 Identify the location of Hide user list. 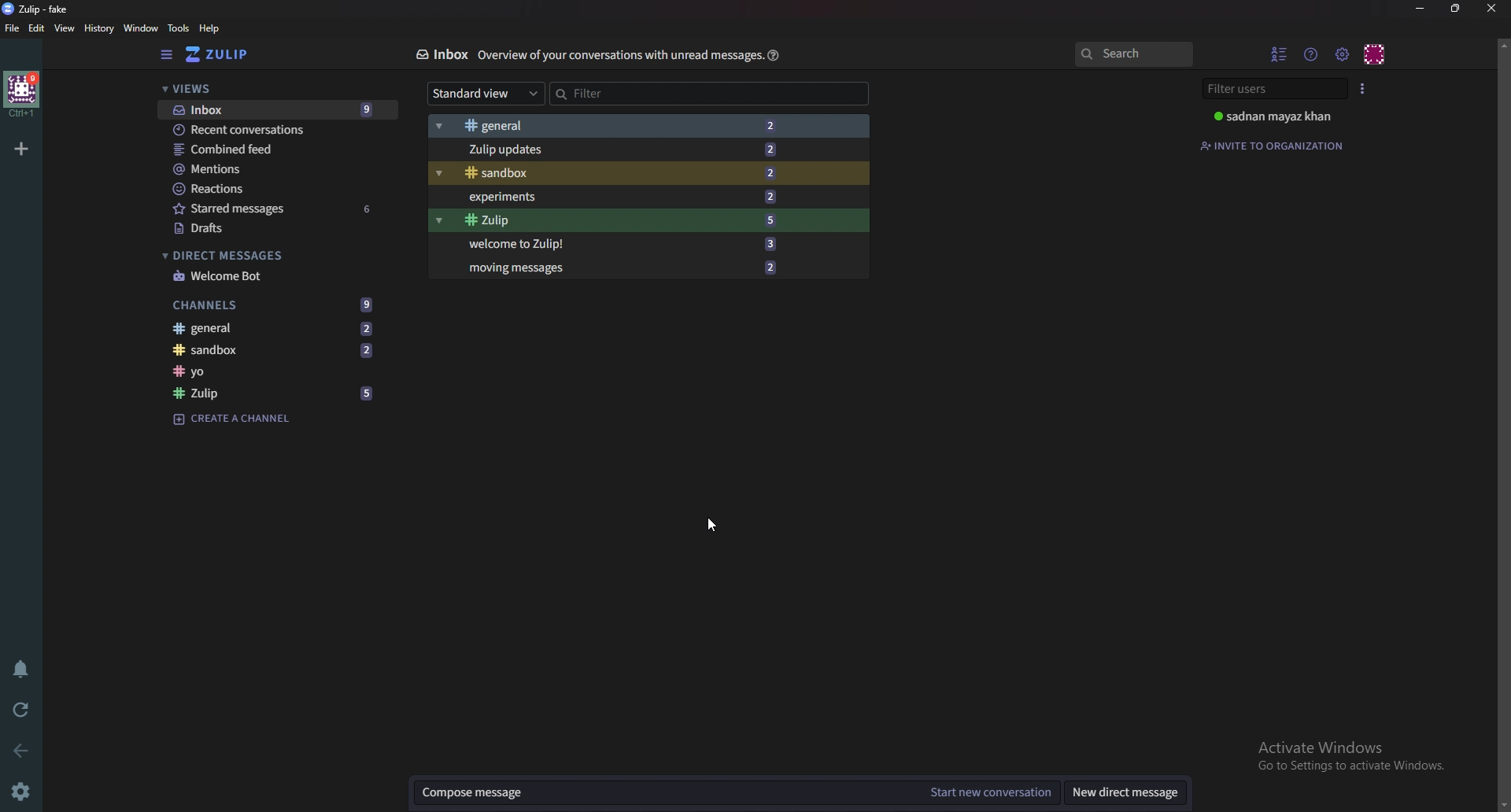
(1277, 54).